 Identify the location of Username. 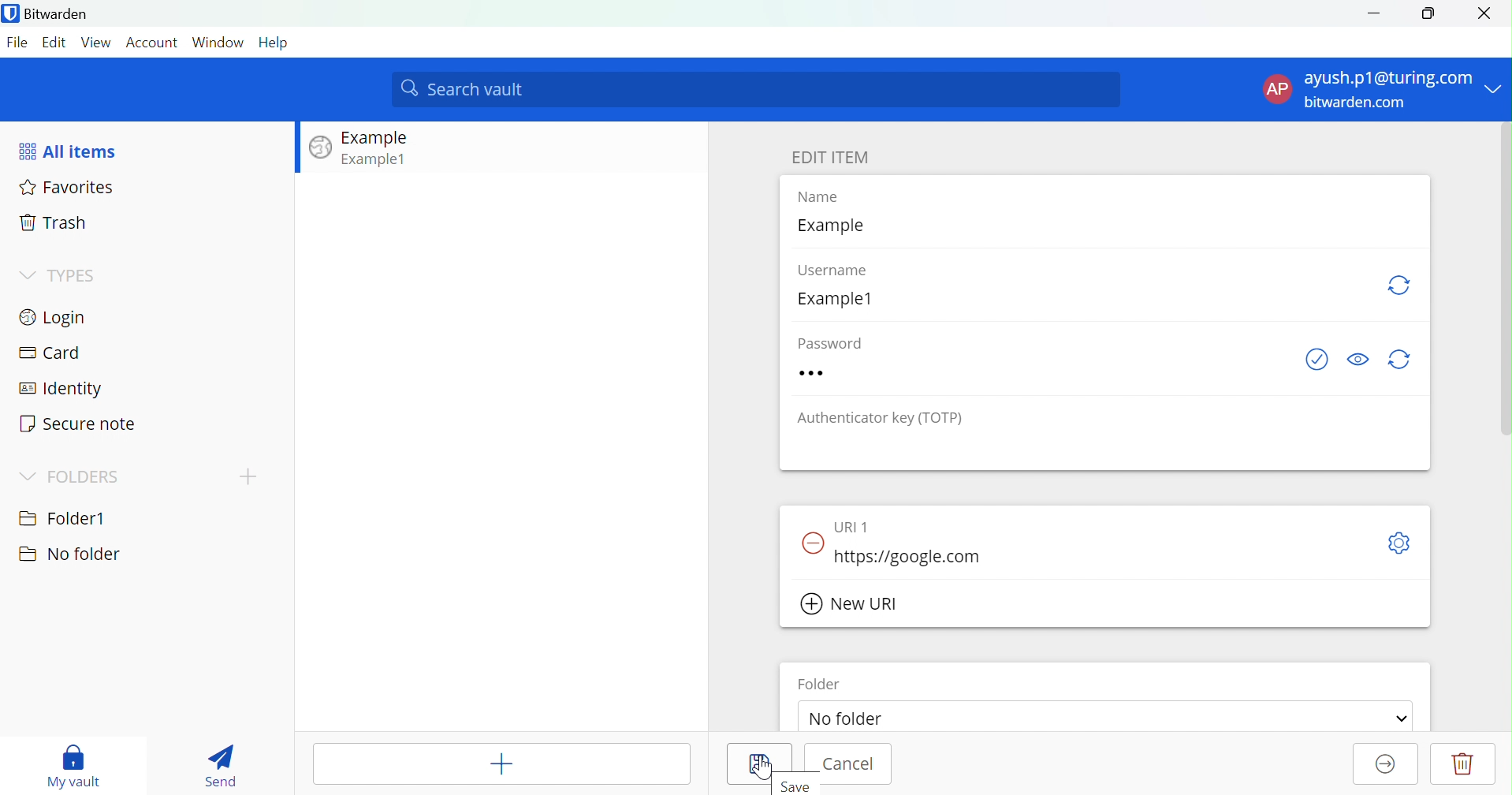
(842, 271).